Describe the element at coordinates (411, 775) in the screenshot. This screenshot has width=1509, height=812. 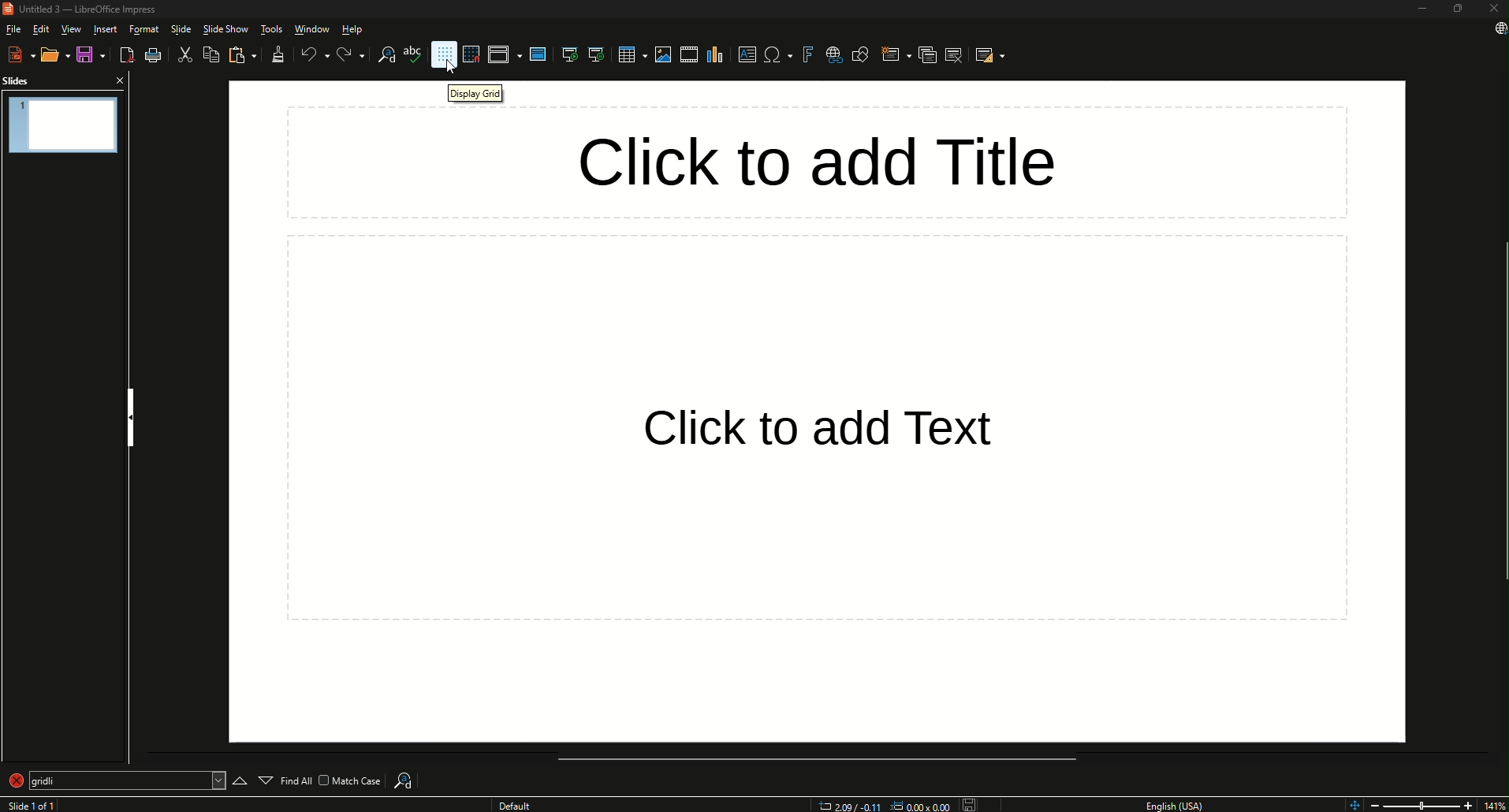
I see `Find and replace` at that location.